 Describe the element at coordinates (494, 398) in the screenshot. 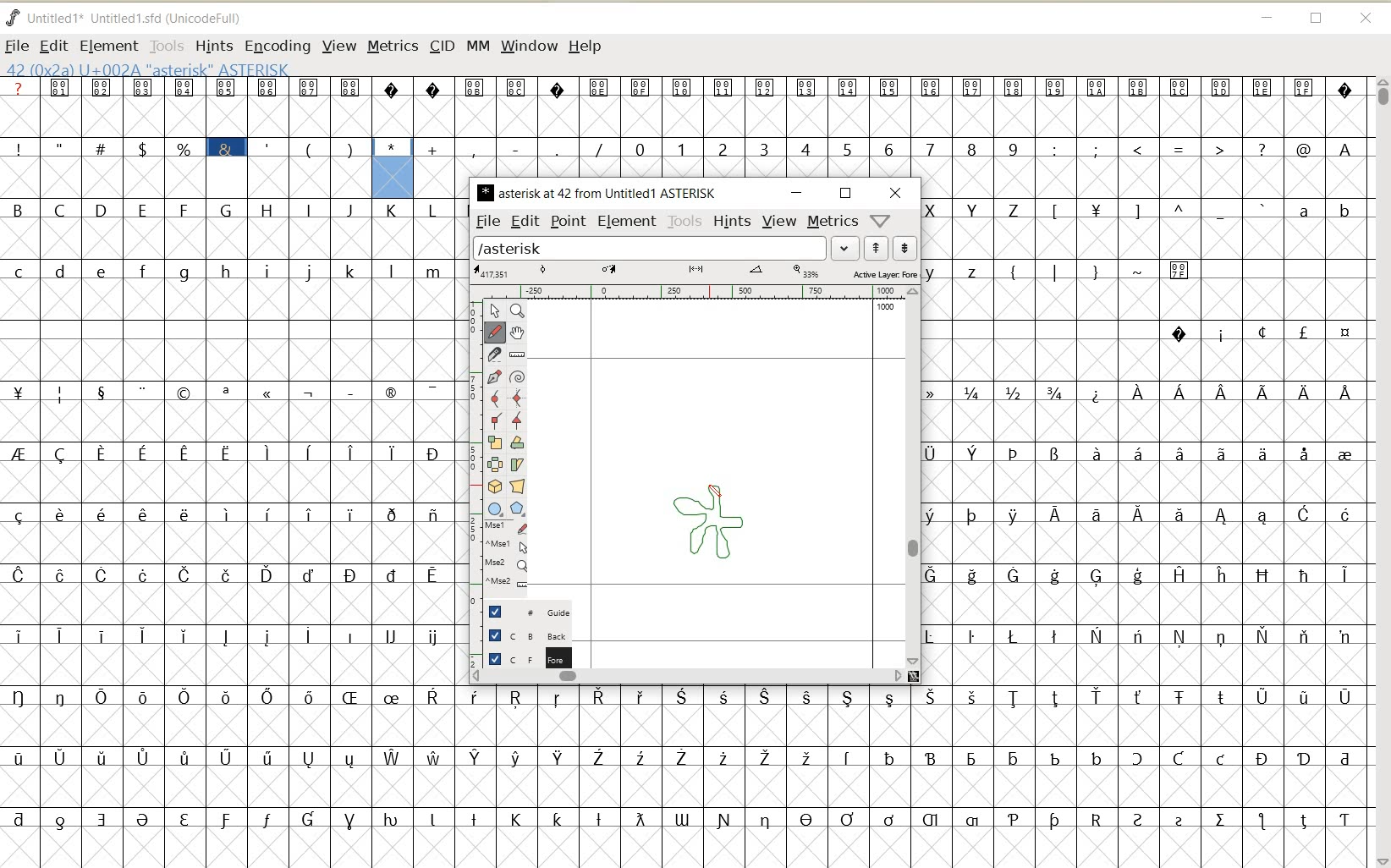

I see `add a curve point` at that location.